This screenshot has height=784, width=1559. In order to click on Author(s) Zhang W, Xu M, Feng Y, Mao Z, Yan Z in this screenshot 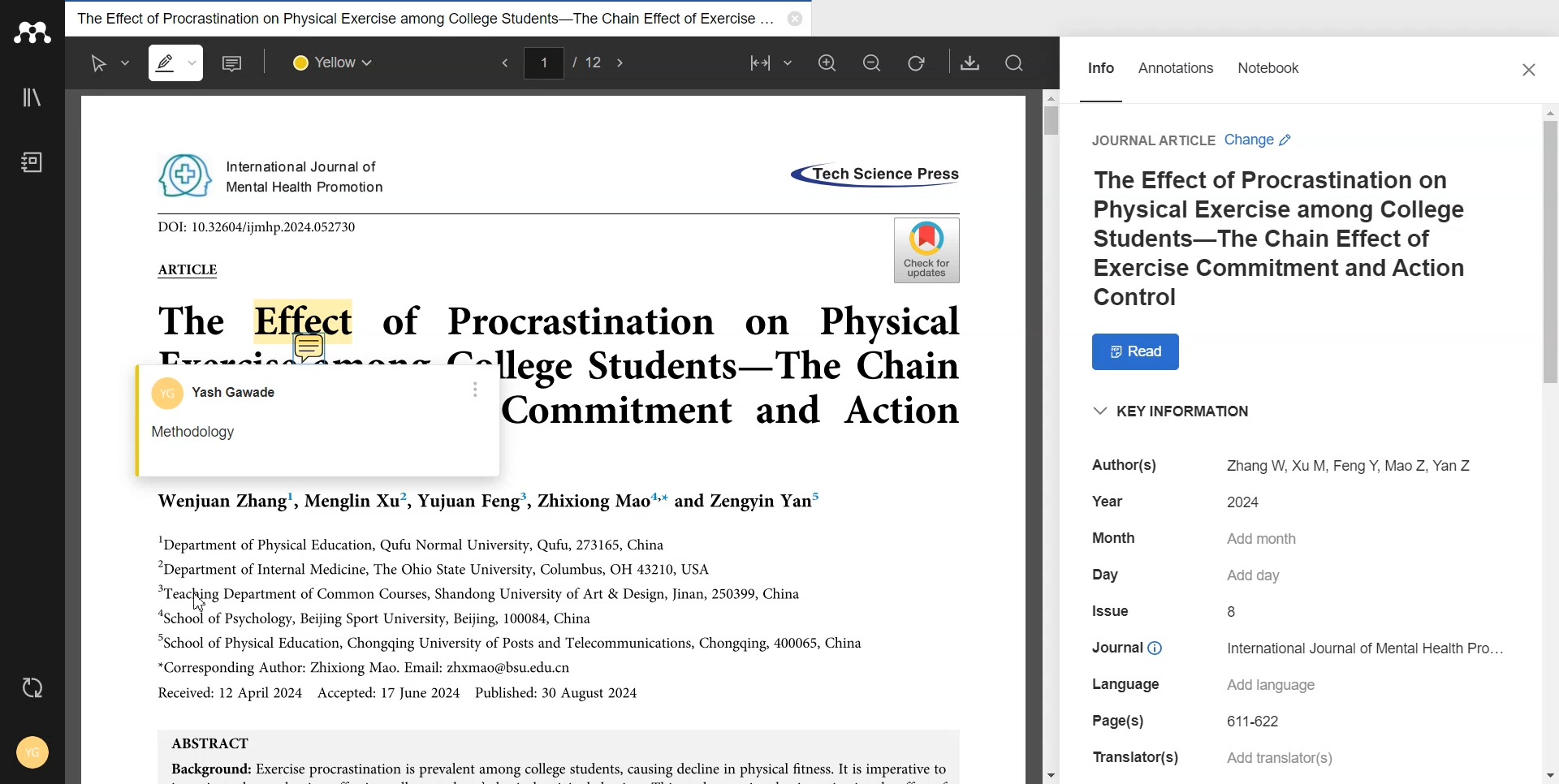, I will do `click(1273, 465)`.